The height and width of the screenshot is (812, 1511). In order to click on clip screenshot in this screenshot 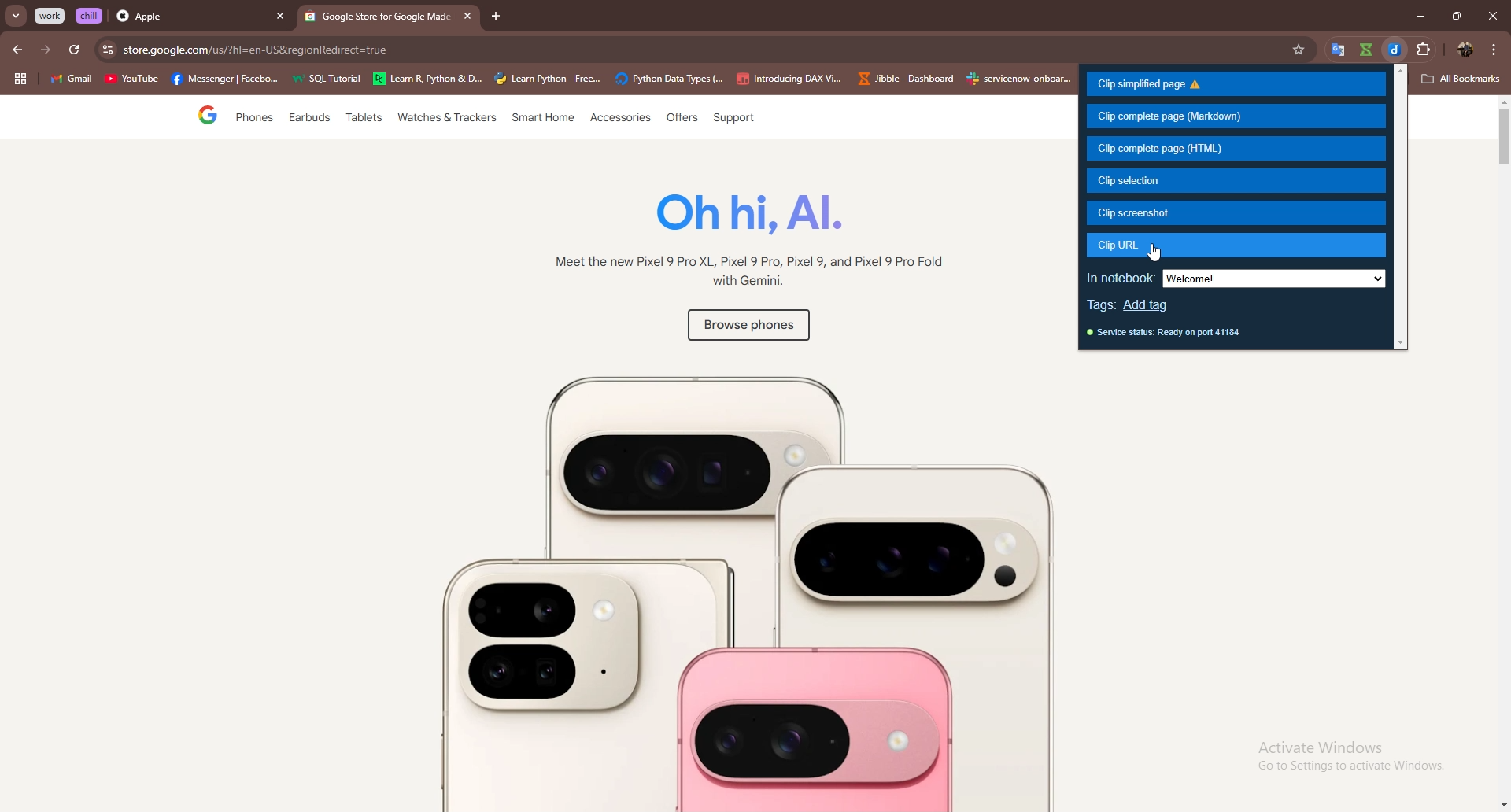, I will do `click(1238, 212)`.